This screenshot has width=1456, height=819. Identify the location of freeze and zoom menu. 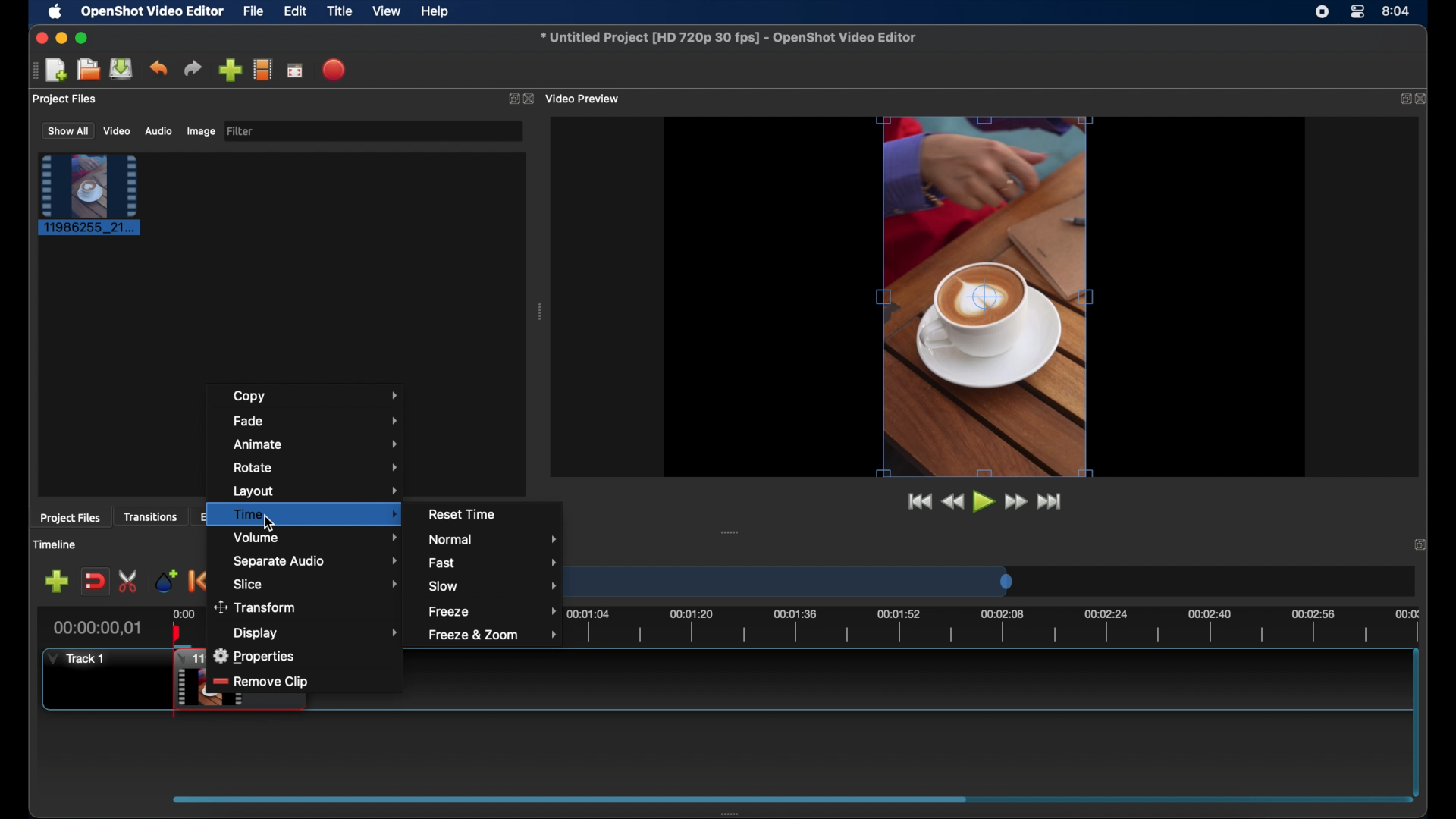
(494, 635).